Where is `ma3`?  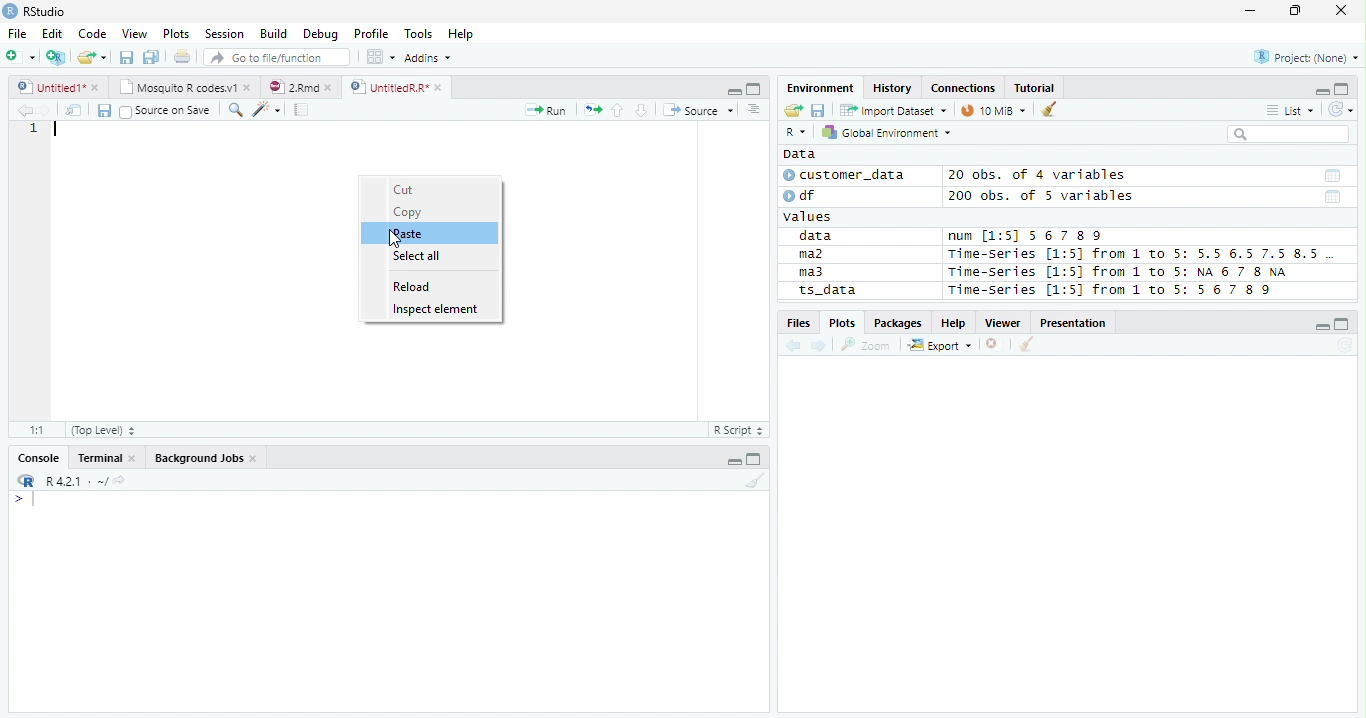
ma3 is located at coordinates (816, 272).